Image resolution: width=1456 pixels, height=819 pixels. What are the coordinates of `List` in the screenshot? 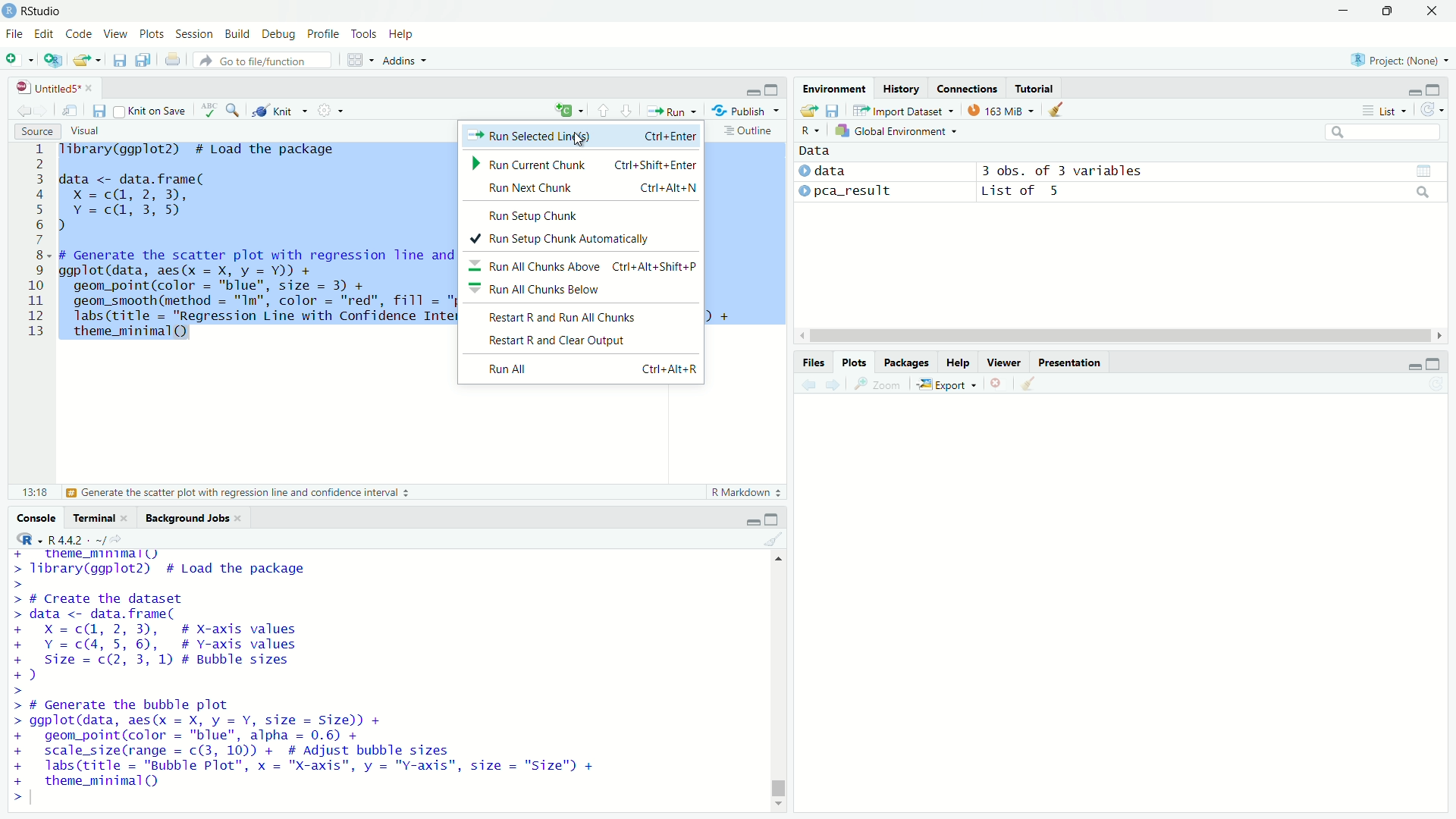 It's located at (1383, 110).